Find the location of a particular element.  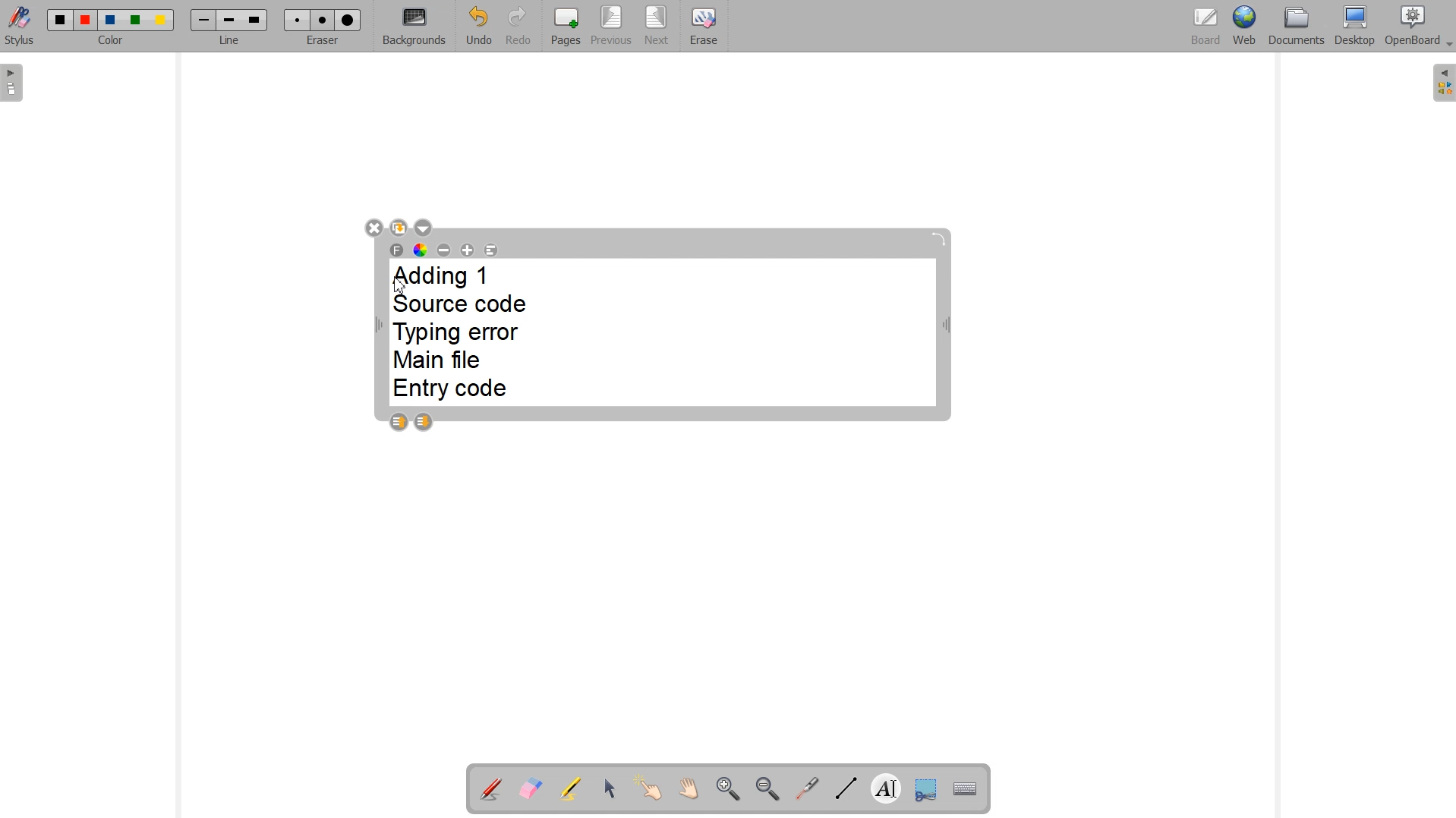

Line is located at coordinates (230, 41).